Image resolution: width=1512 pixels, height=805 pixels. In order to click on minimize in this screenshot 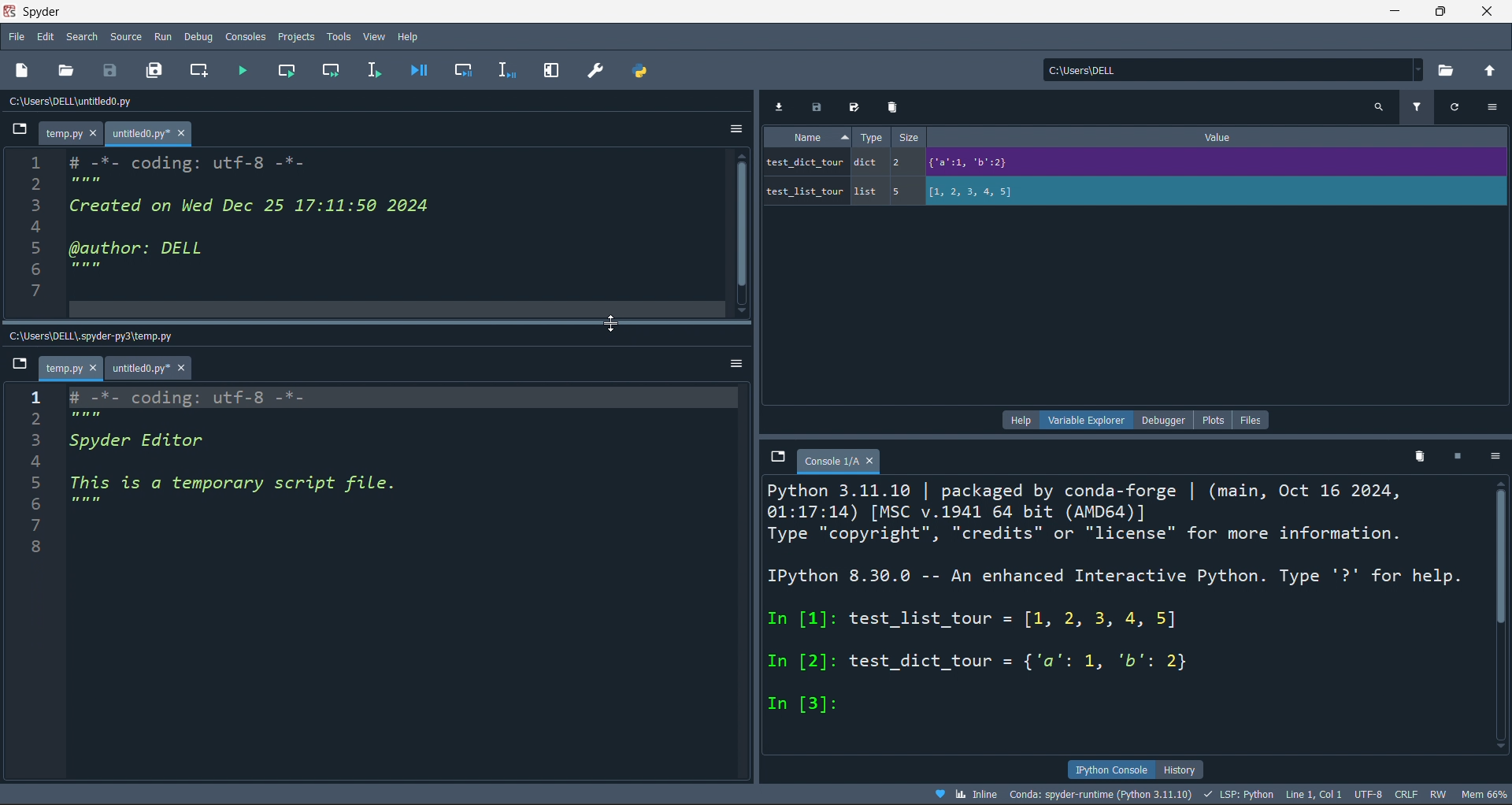, I will do `click(1392, 12)`.